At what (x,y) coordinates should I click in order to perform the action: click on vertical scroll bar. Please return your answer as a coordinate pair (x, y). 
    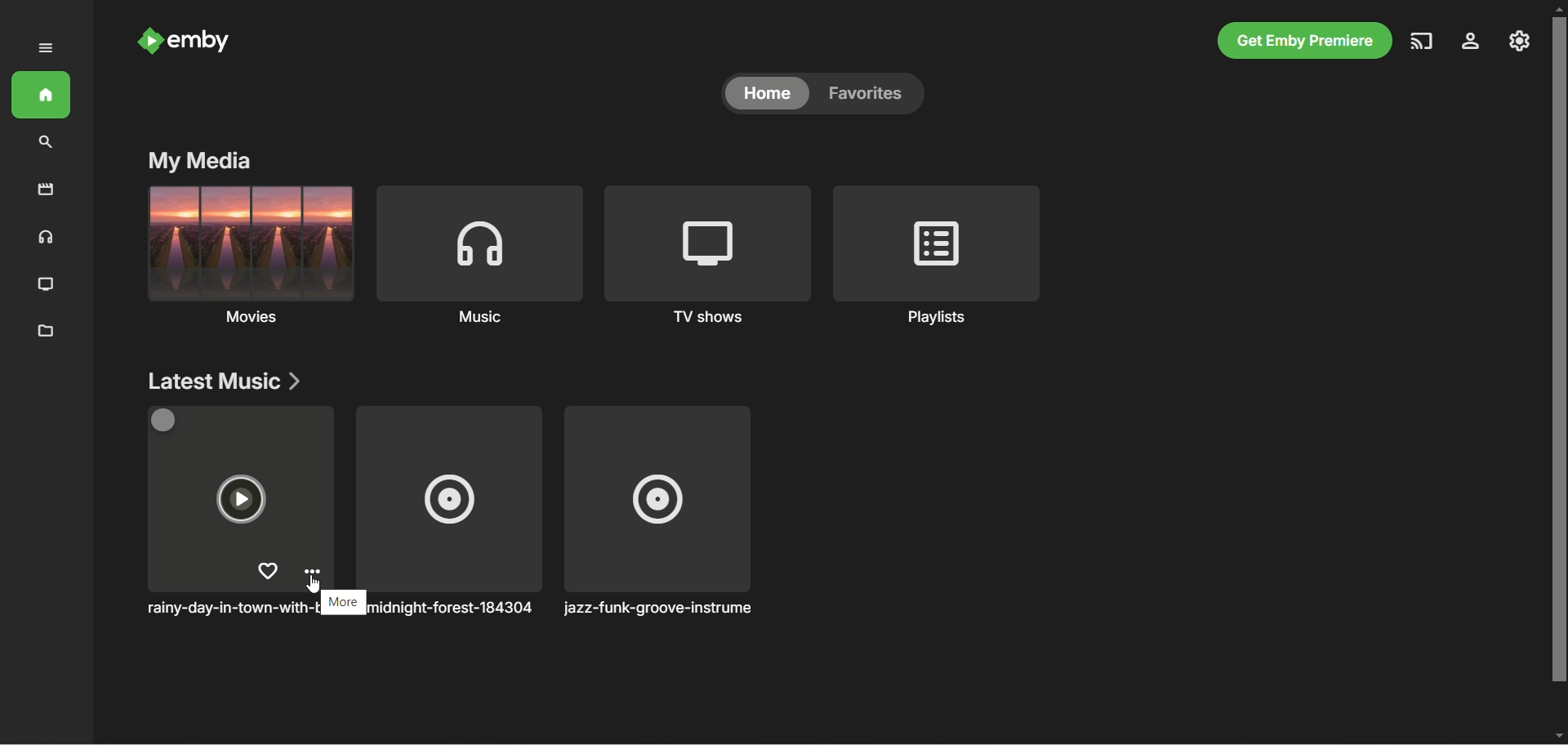
    Looking at the image, I should click on (1558, 374).